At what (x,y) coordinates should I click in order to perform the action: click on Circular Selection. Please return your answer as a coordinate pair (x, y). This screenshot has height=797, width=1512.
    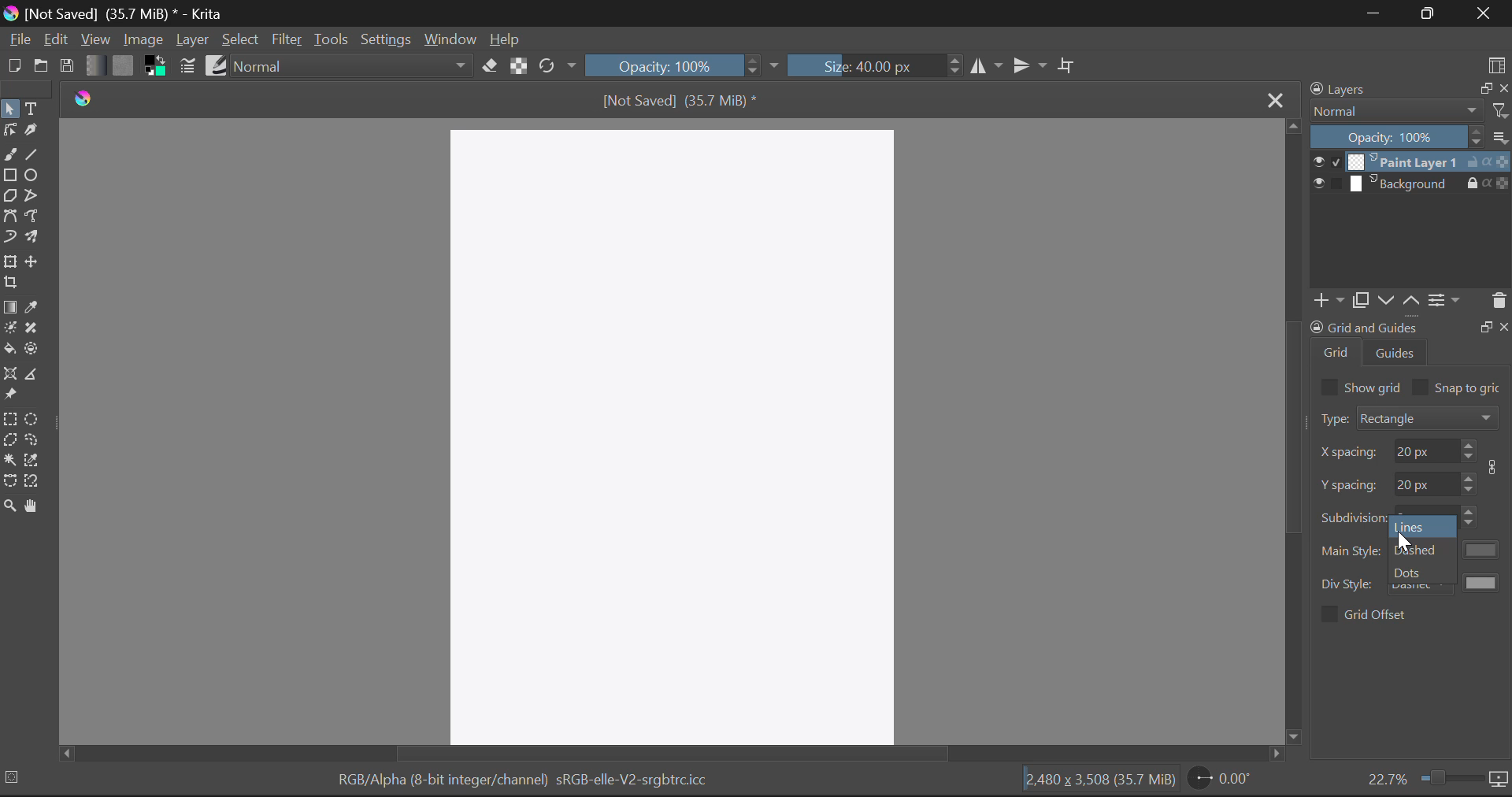
    Looking at the image, I should click on (34, 420).